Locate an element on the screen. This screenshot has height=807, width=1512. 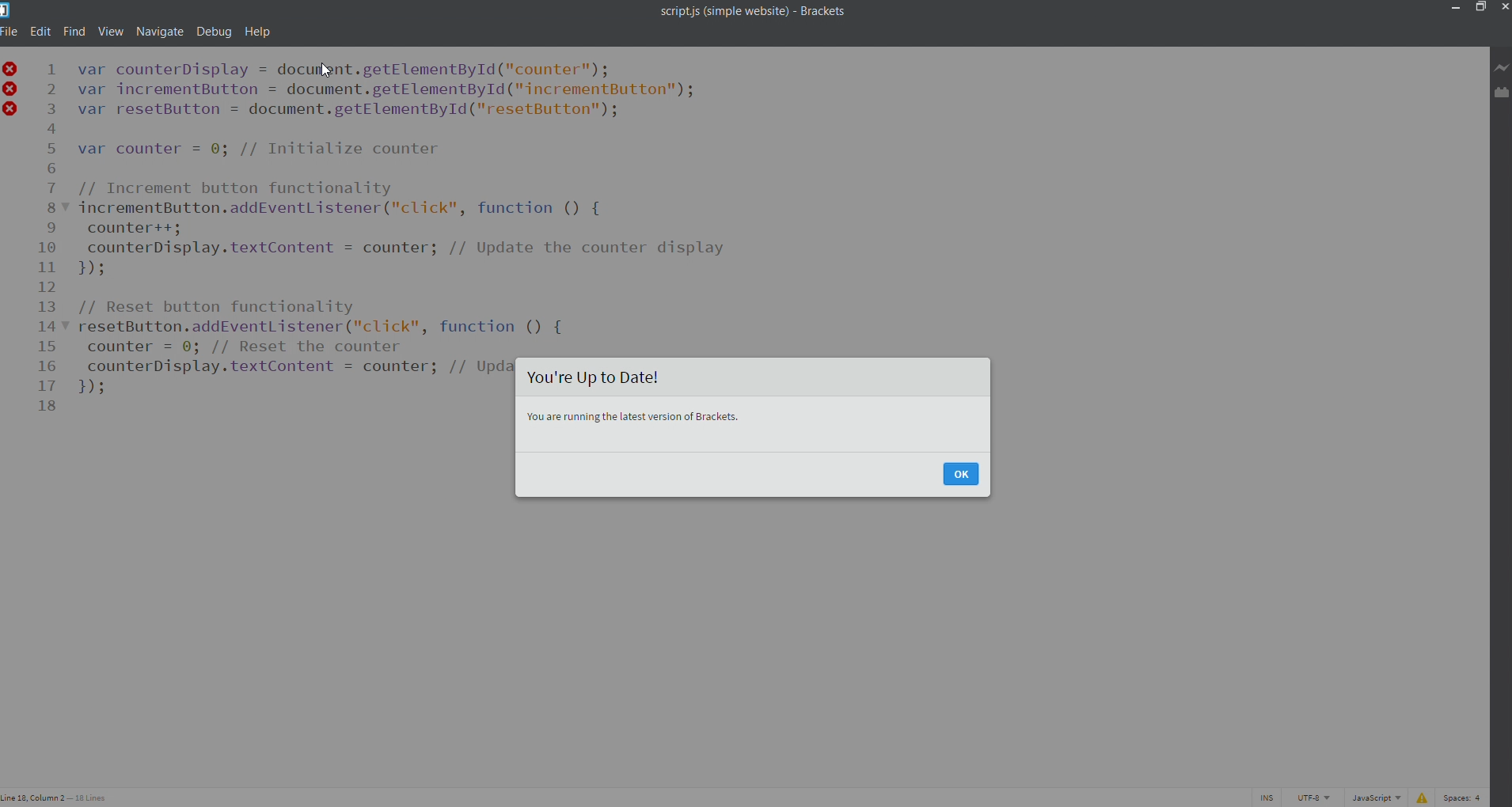
debug is located at coordinates (214, 31).